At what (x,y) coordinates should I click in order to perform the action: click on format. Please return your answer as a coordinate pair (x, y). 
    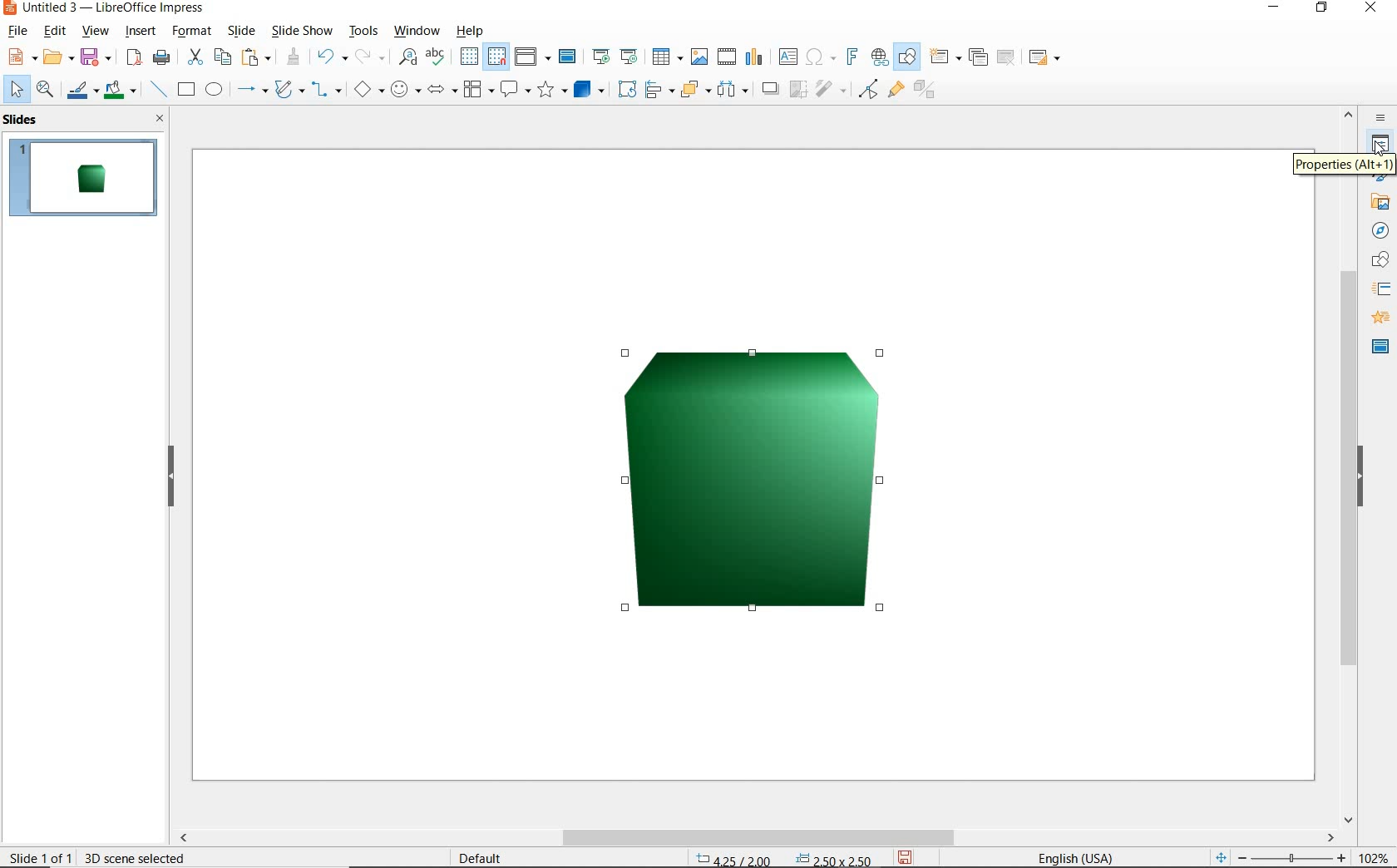
    Looking at the image, I should click on (193, 31).